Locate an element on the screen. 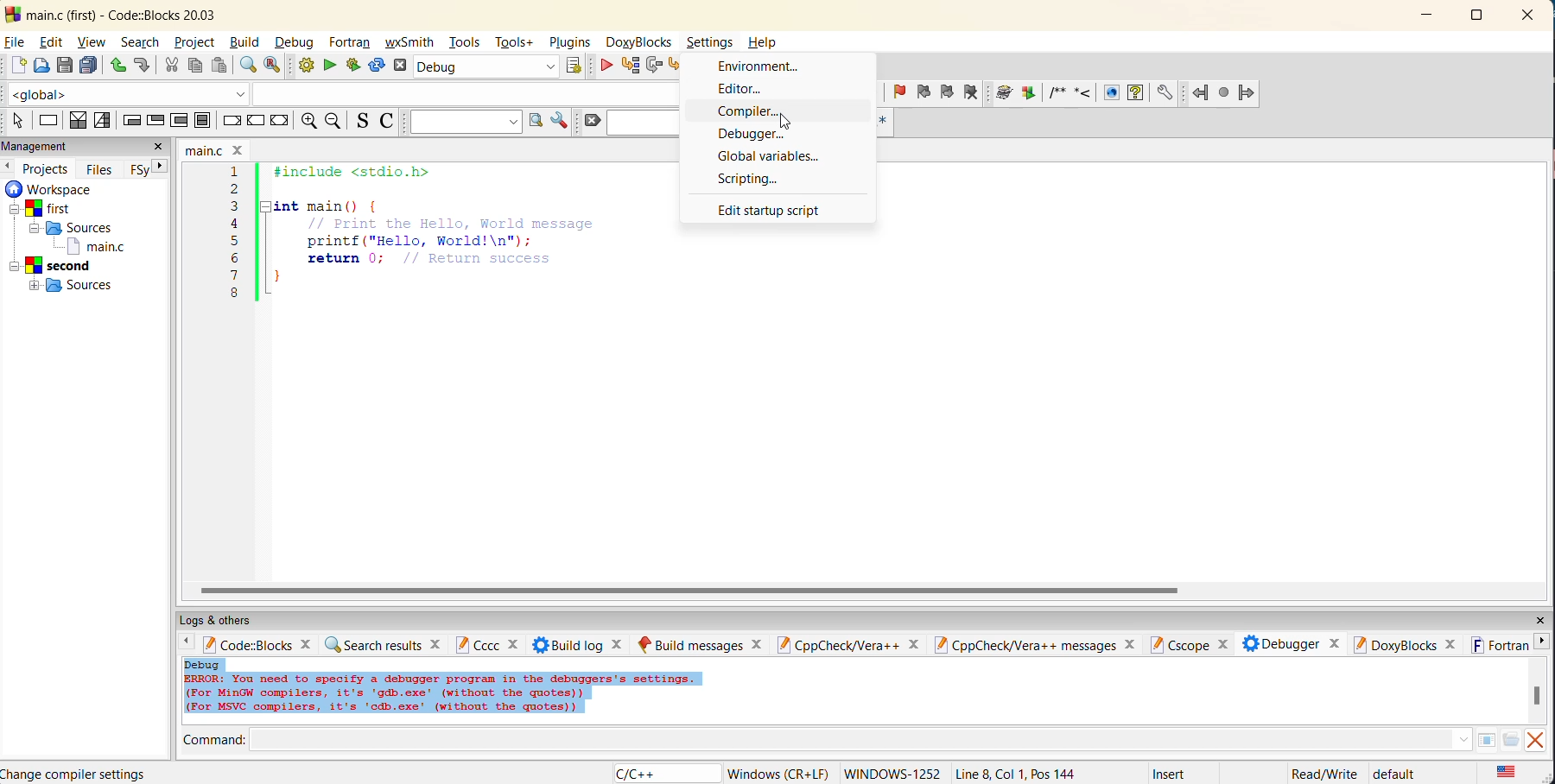  toggle comments is located at coordinates (385, 123).